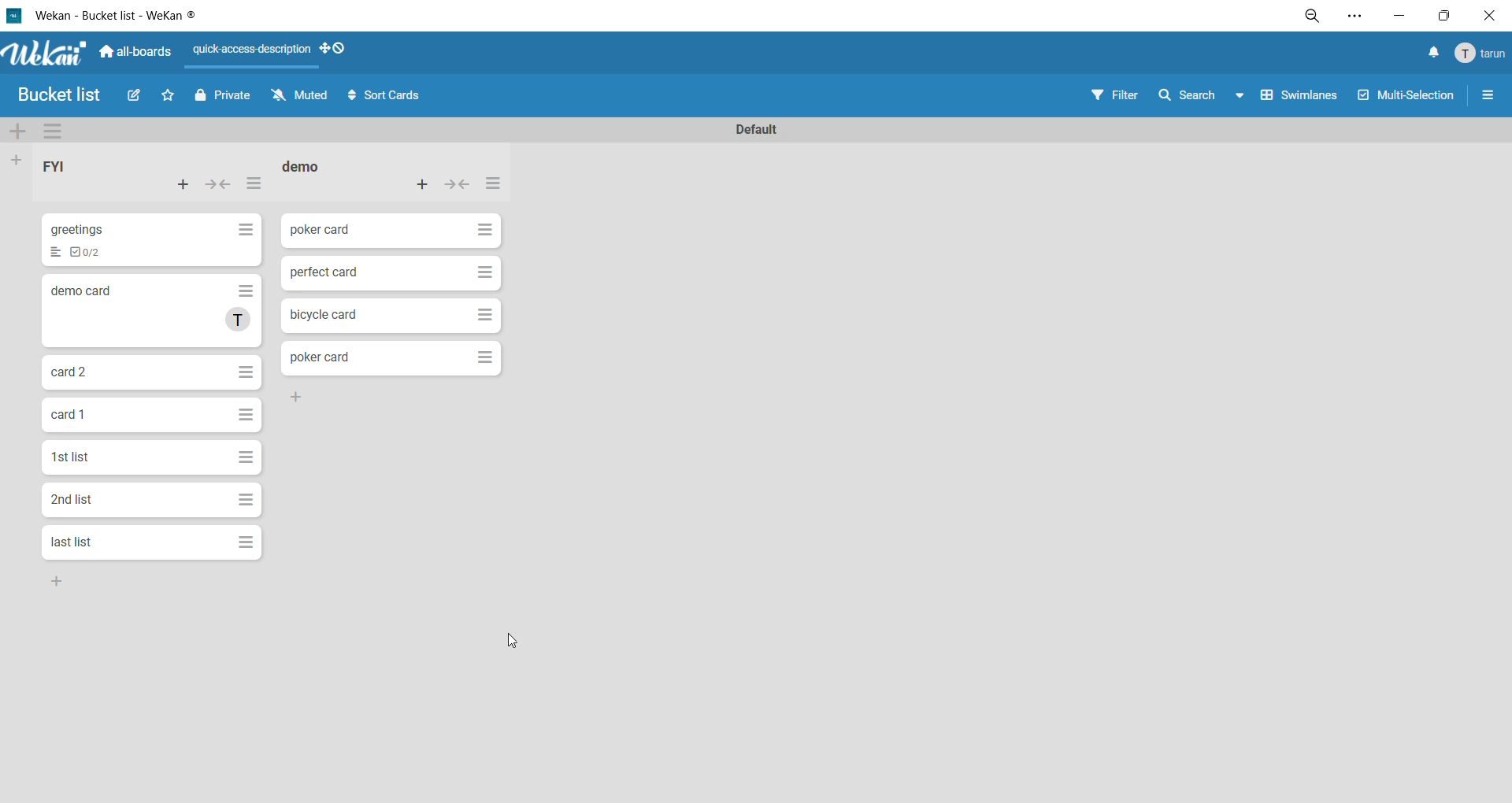  What do you see at coordinates (54, 253) in the screenshot?
I see `List` at bounding box center [54, 253].